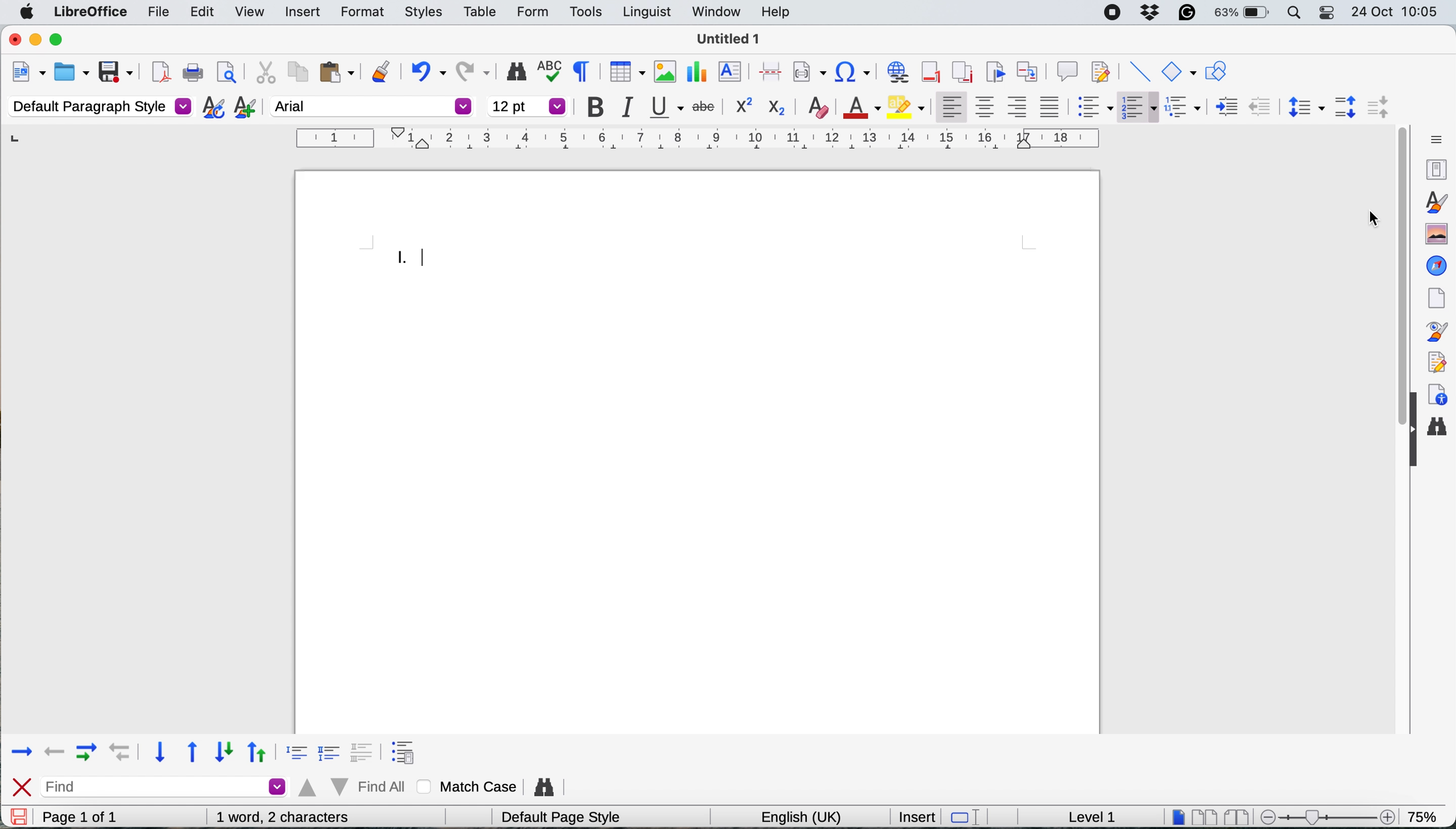  Describe the element at coordinates (168, 786) in the screenshot. I see `find` at that location.